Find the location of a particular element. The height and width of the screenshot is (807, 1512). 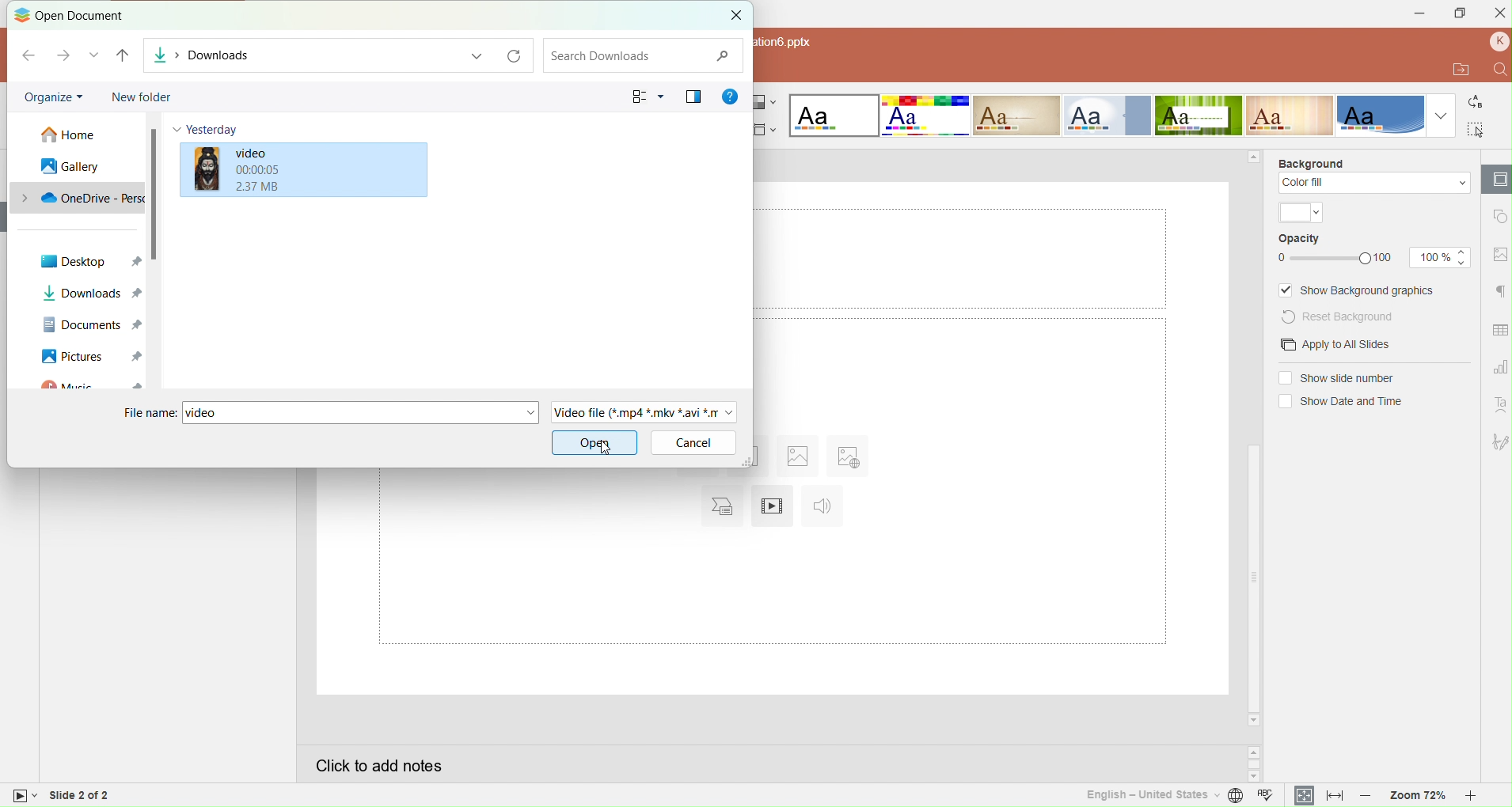

Replace is located at coordinates (1476, 100).